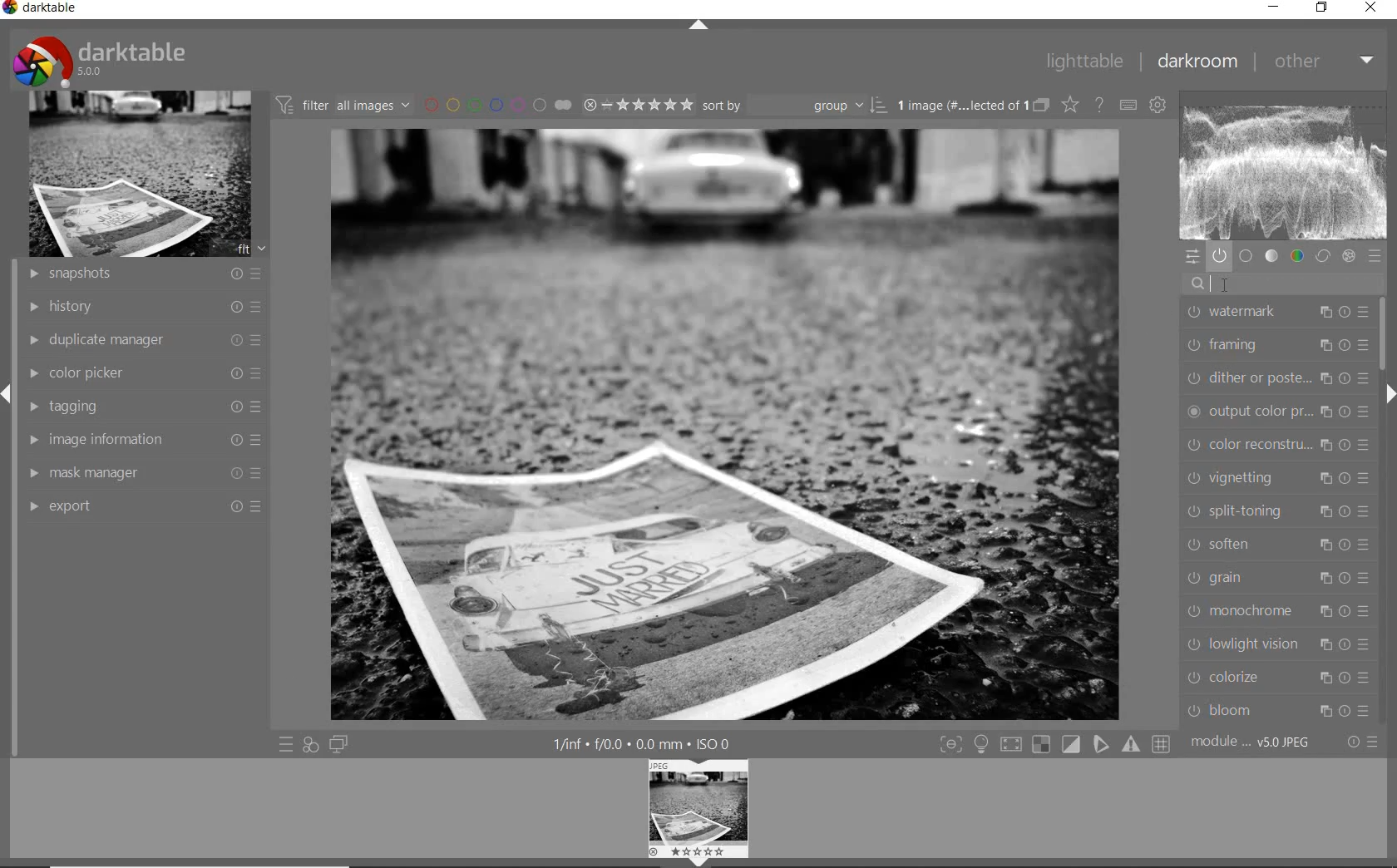 Image resolution: width=1397 pixels, height=868 pixels. What do you see at coordinates (338, 744) in the screenshot?
I see `display a second darkroom image window` at bounding box center [338, 744].